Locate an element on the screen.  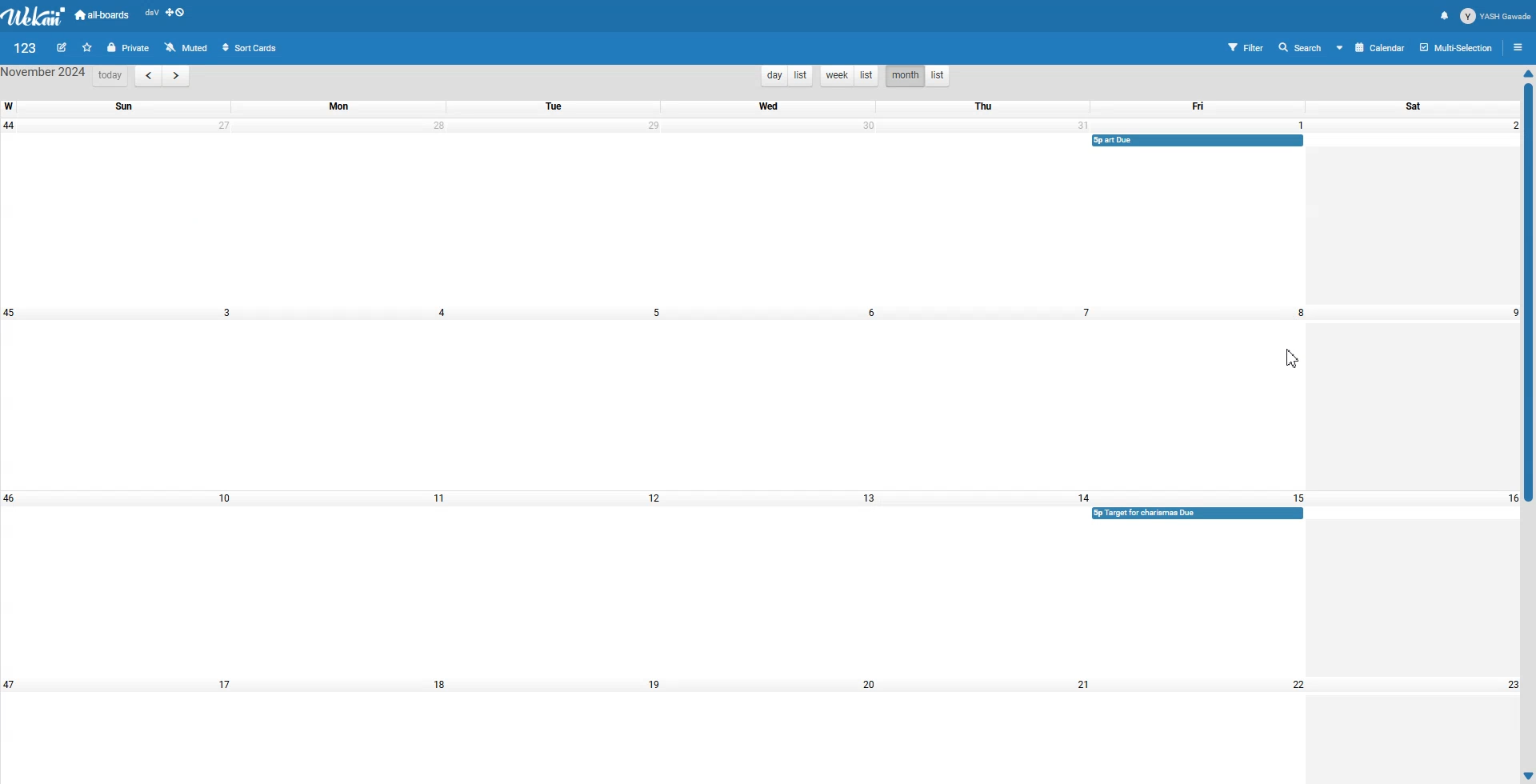
Card Deadline is located at coordinates (1199, 141).